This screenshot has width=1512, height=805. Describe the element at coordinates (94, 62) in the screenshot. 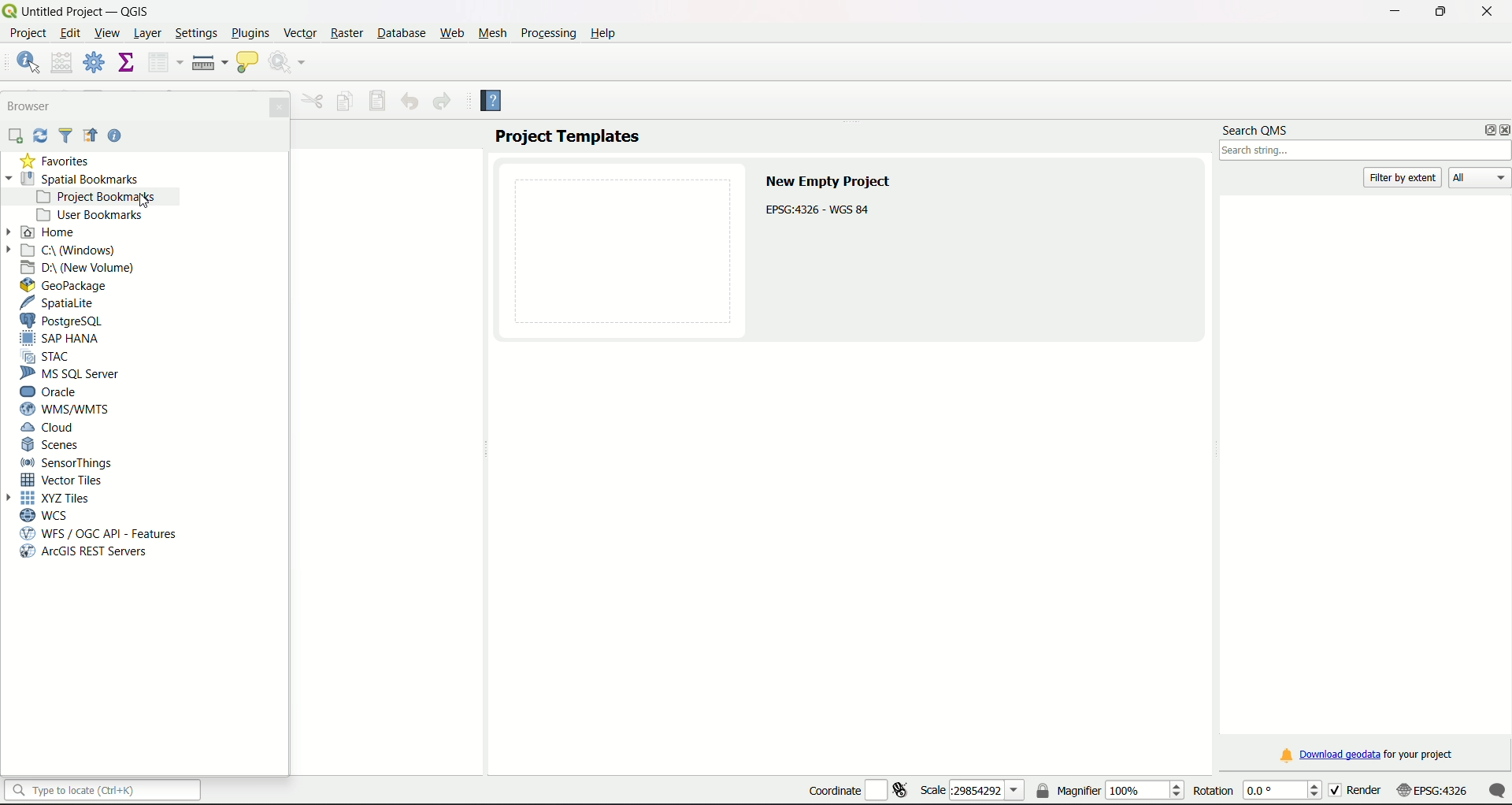

I see `toolbox` at that location.